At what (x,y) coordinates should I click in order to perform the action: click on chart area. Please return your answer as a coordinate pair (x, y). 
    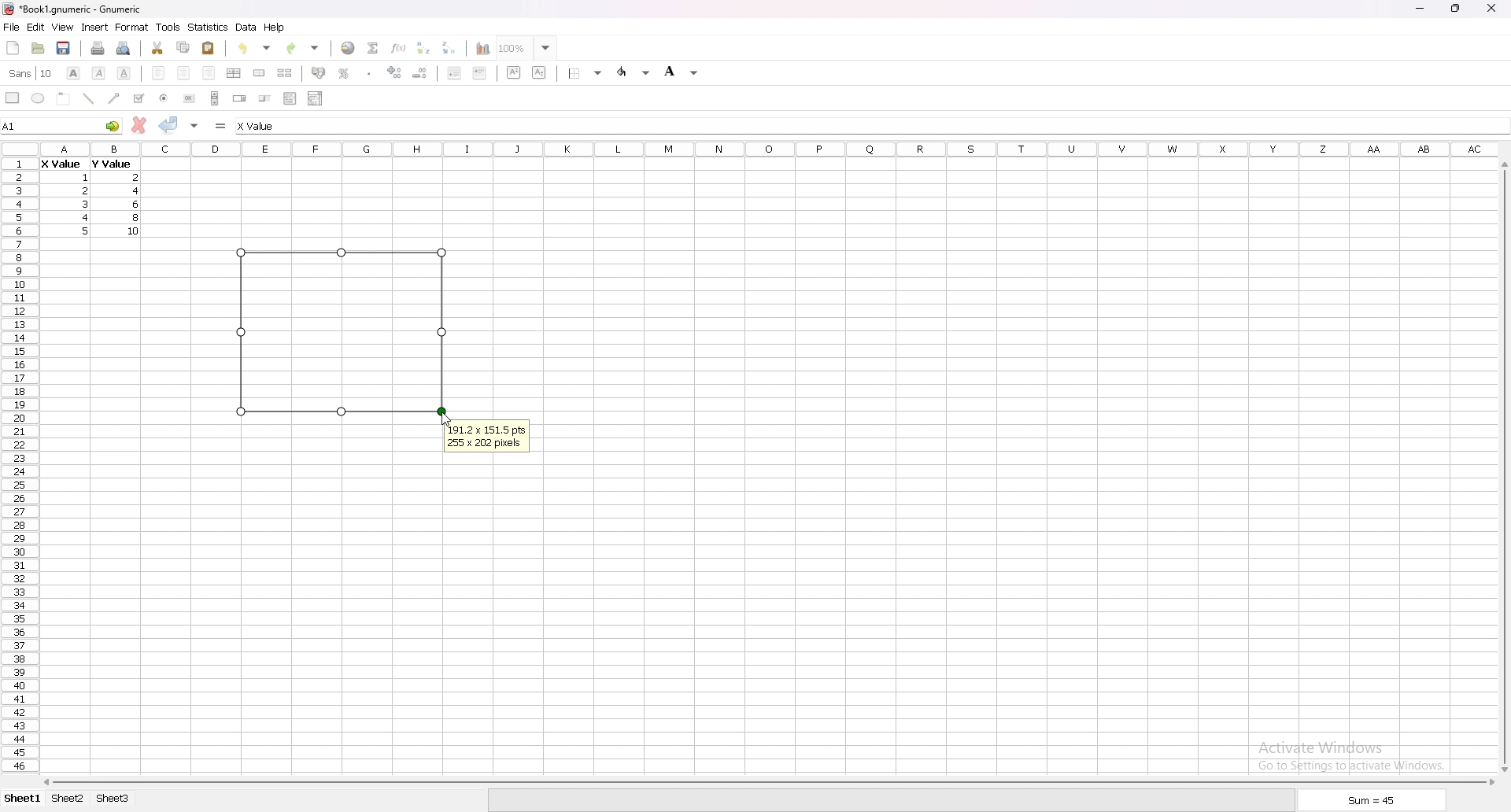
    Looking at the image, I should click on (342, 330).